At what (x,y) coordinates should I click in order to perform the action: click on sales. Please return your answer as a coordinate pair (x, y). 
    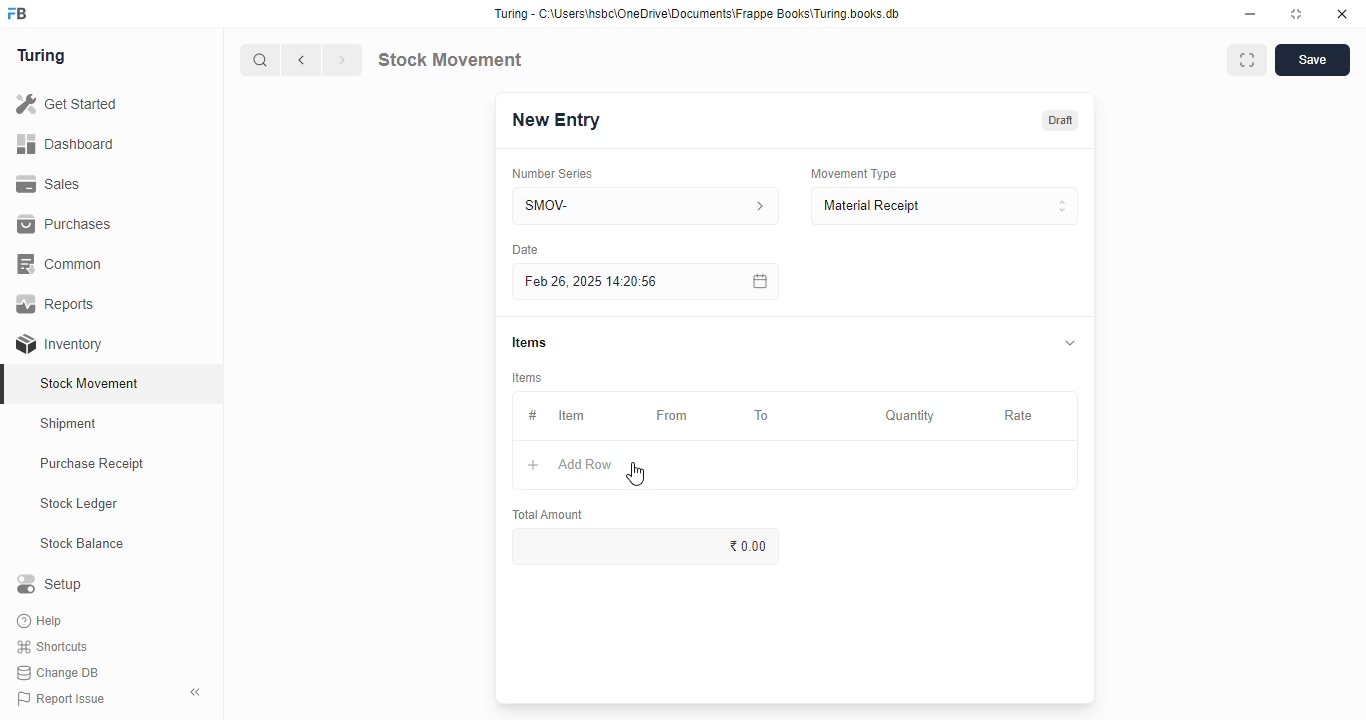
    Looking at the image, I should click on (48, 184).